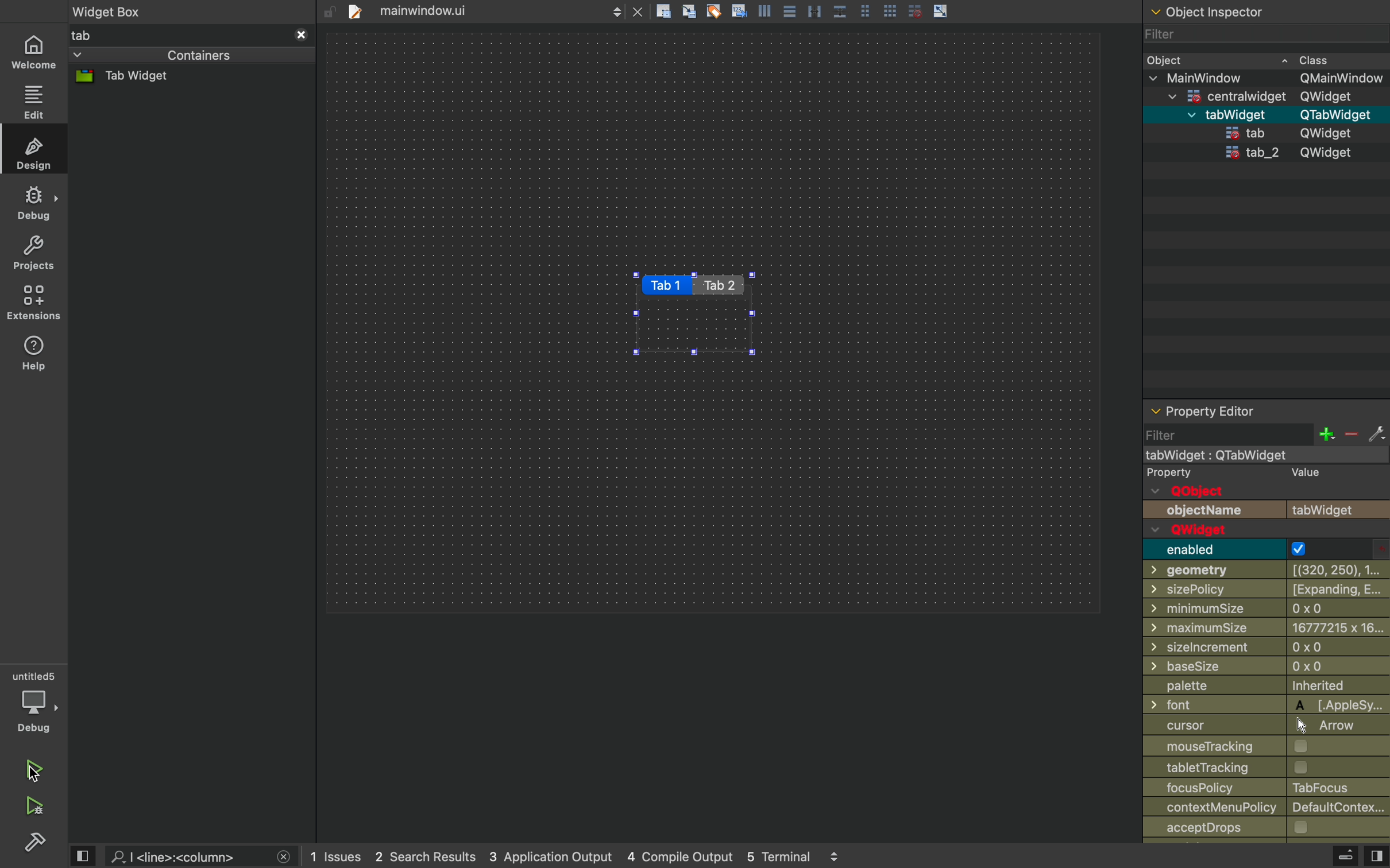 The height and width of the screenshot is (868, 1390). Describe the element at coordinates (713, 10) in the screenshot. I see `tagging` at that location.